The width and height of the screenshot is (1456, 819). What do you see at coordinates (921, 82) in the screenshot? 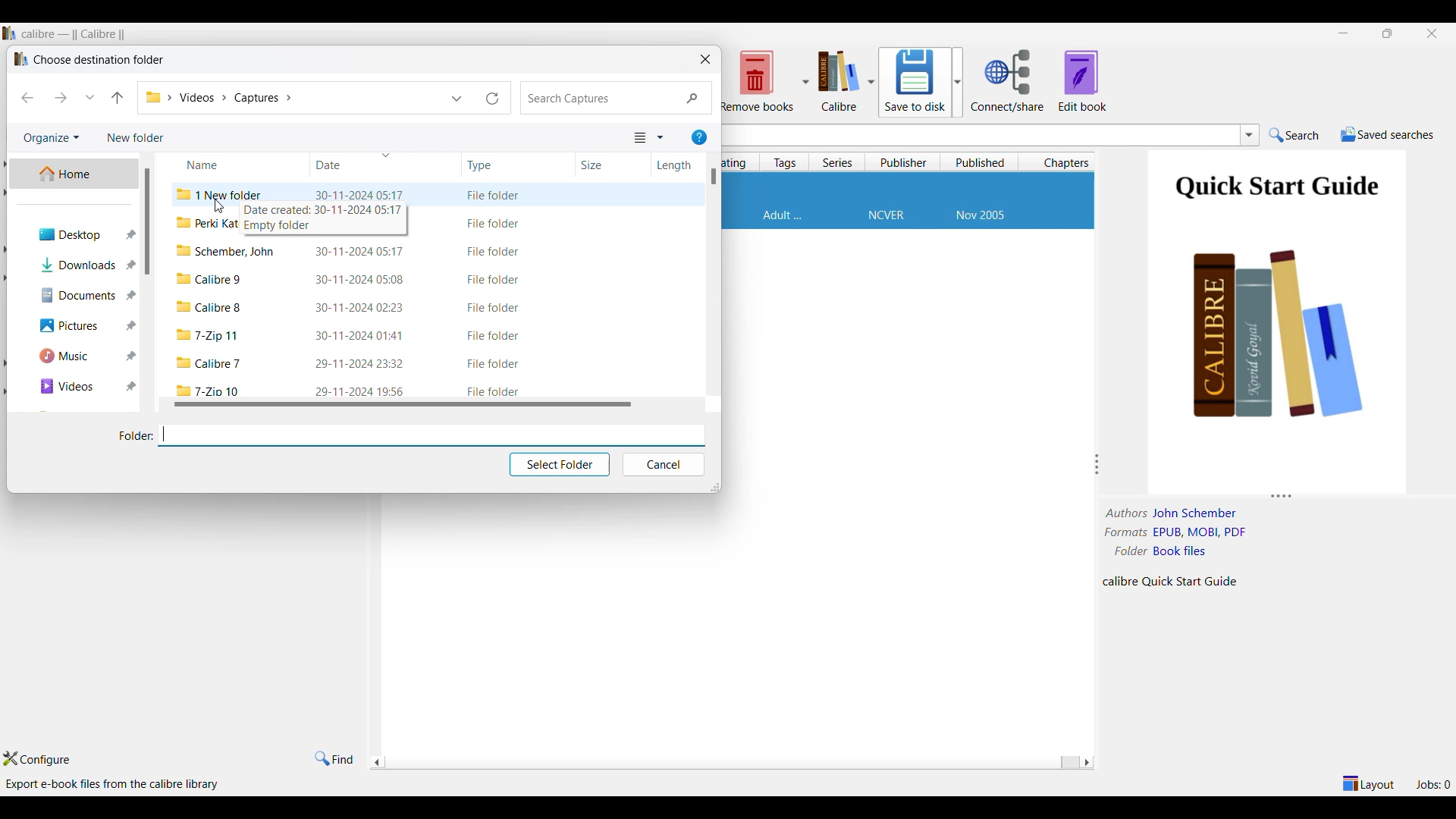
I see `Save options` at bounding box center [921, 82].